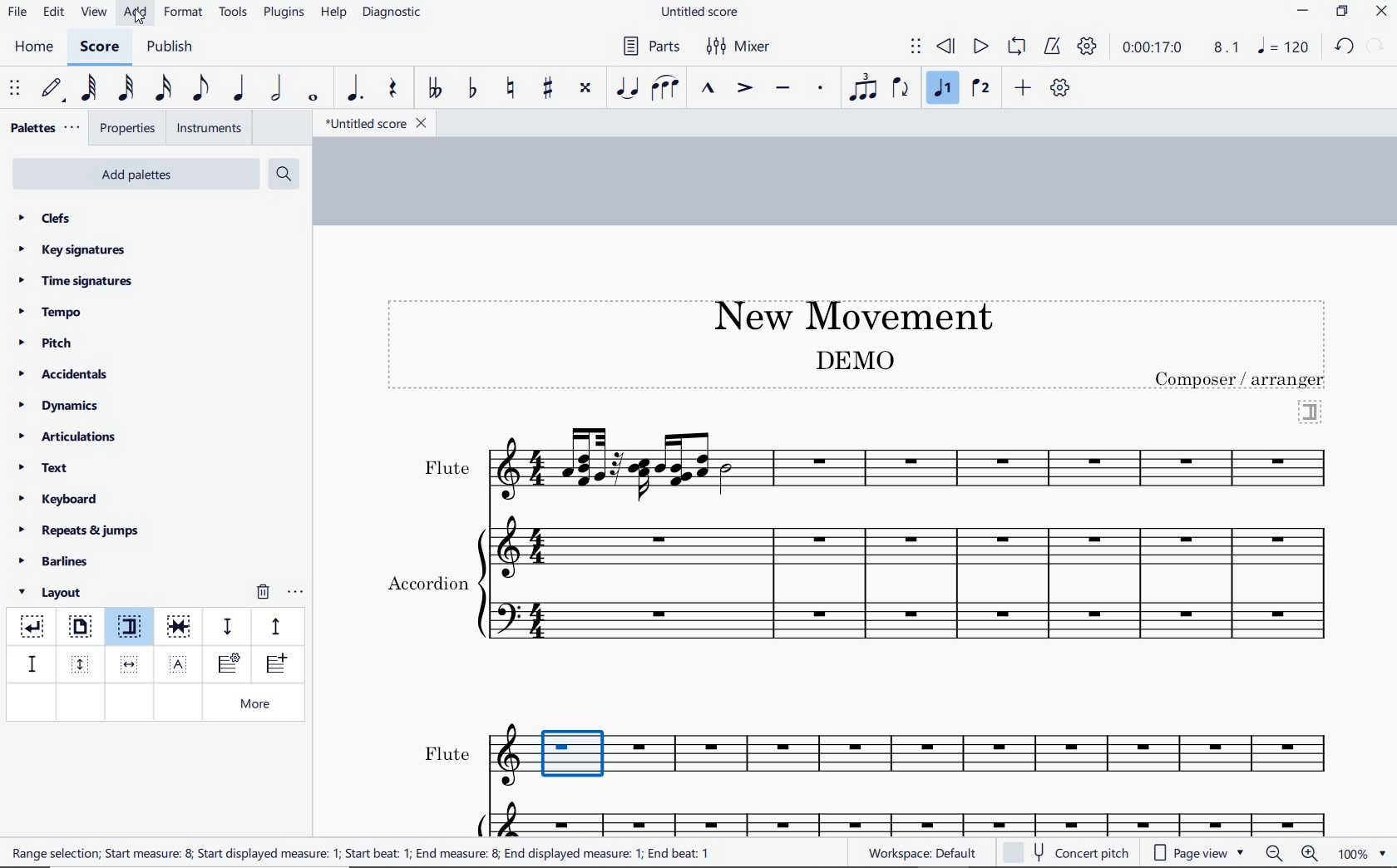 This screenshot has height=868, width=1397. What do you see at coordinates (295, 589) in the screenshot?
I see `options` at bounding box center [295, 589].